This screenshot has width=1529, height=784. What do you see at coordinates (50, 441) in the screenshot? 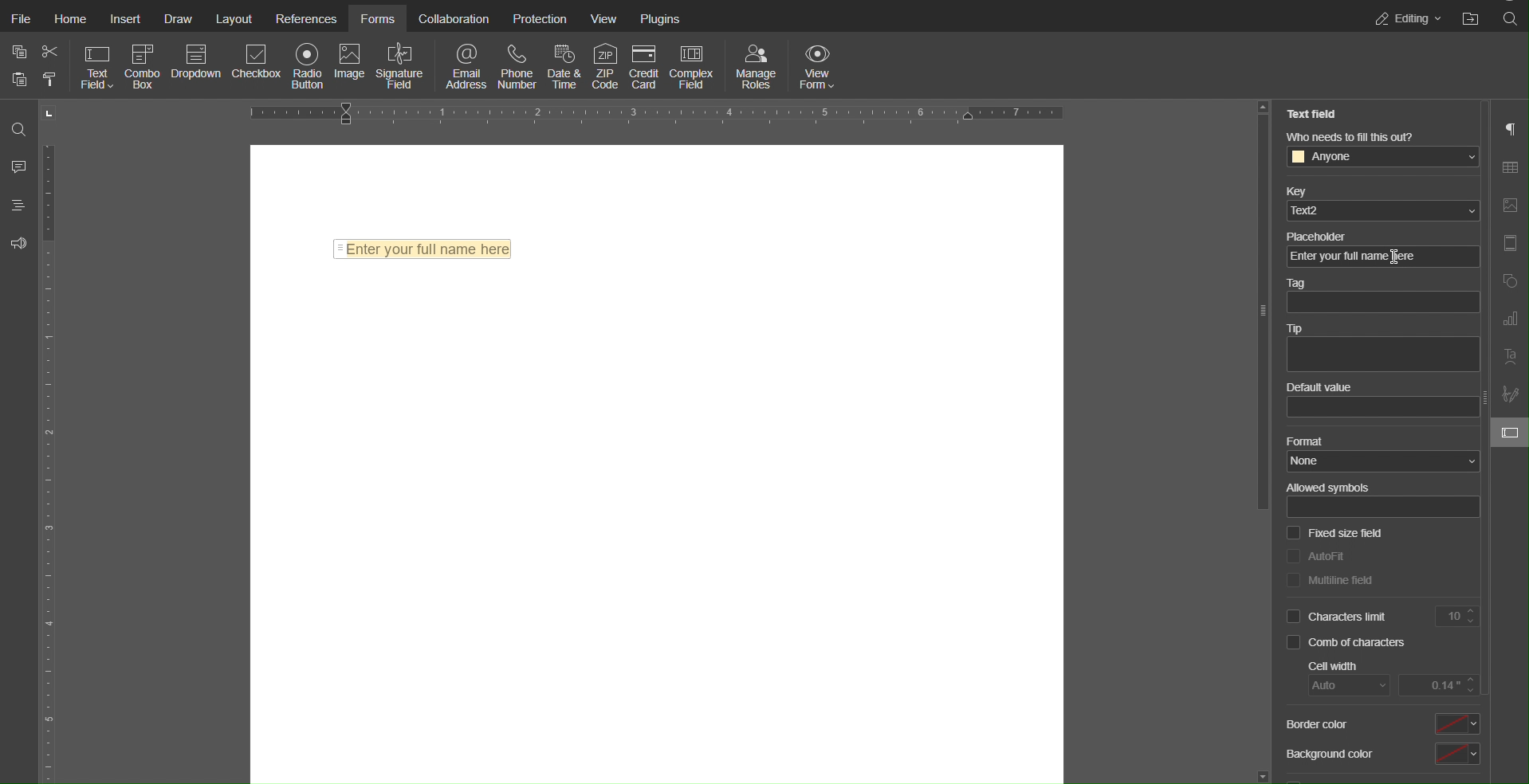
I see `Vertical Ruler` at bounding box center [50, 441].